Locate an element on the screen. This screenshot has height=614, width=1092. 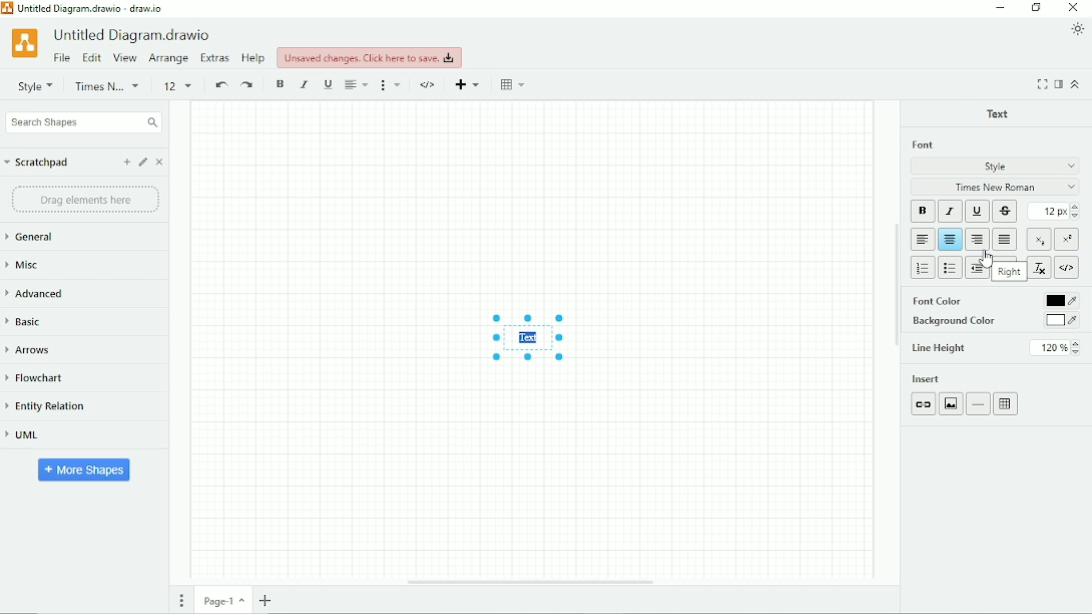
Text is located at coordinates (998, 113).